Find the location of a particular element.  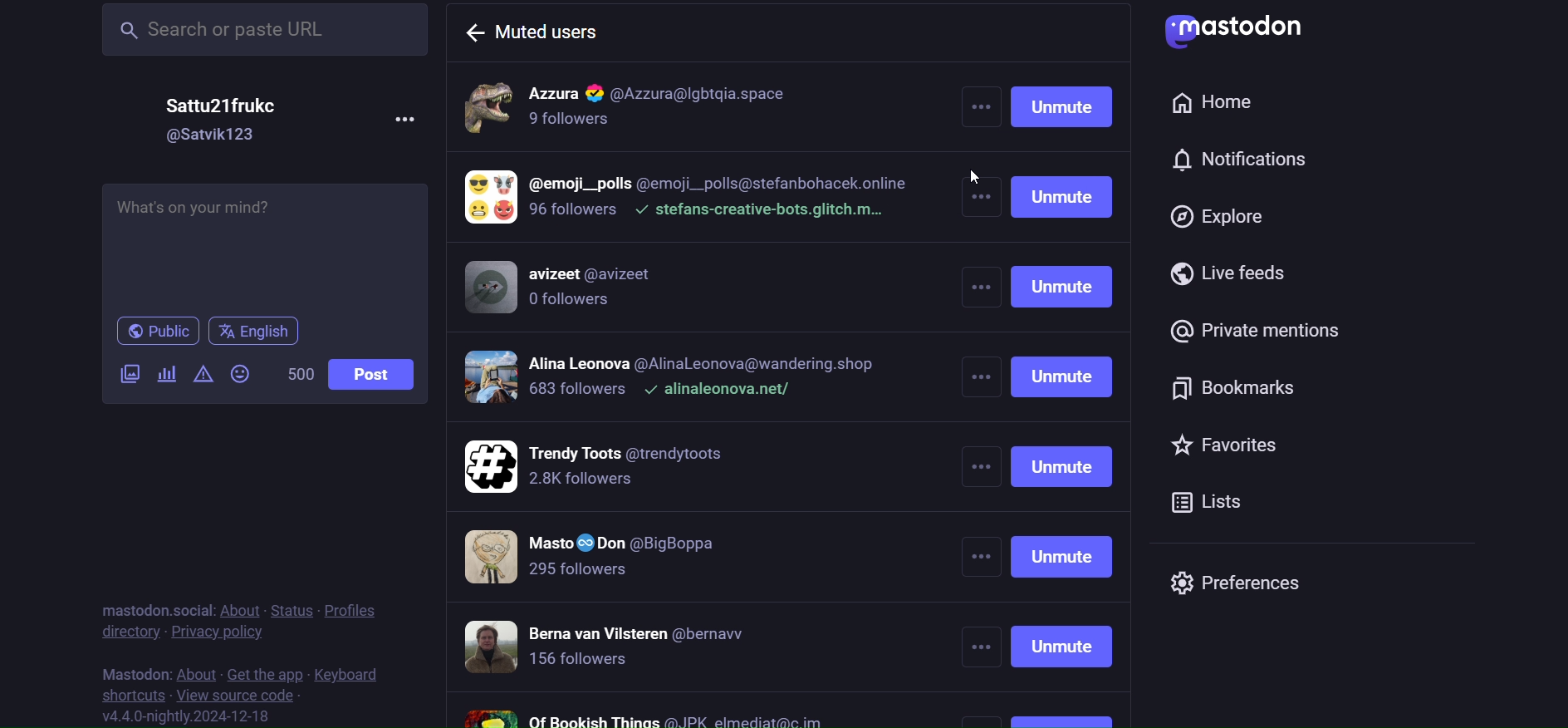

public is located at coordinates (157, 332).